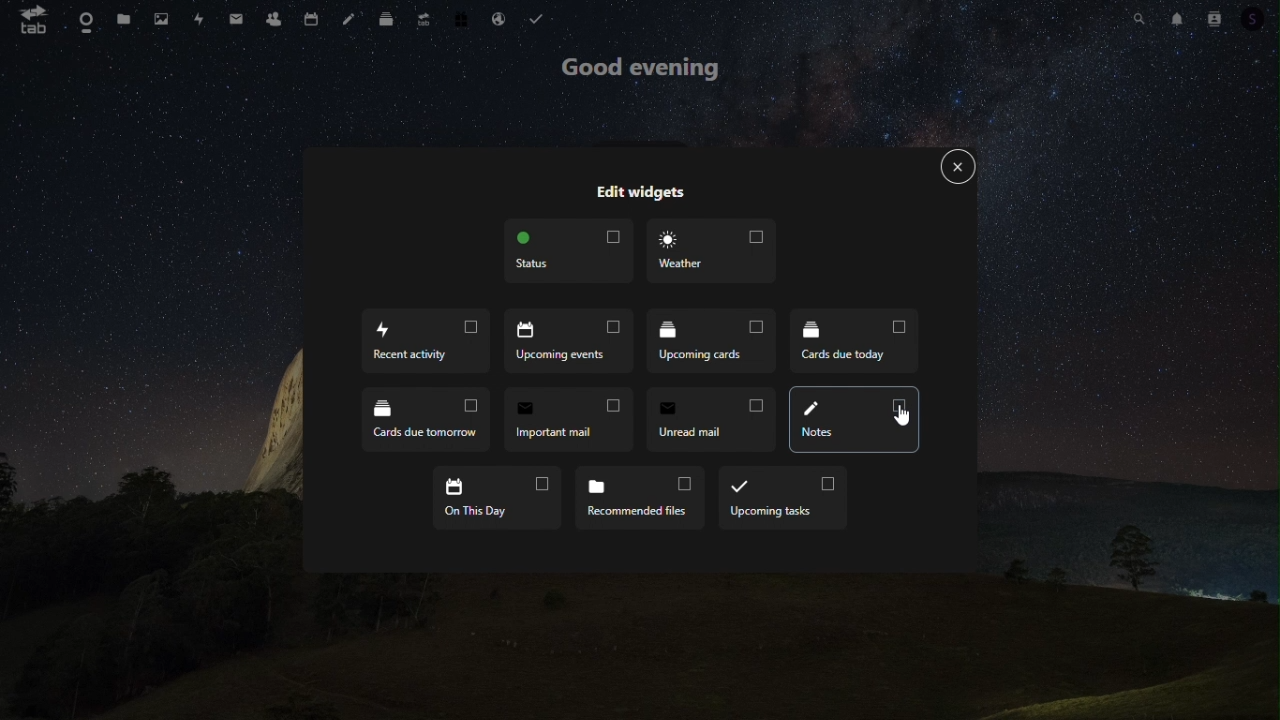  What do you see at coordinates (1139, 17) in the screenshot?
I see `Search` at bounding box center [1139, 17].